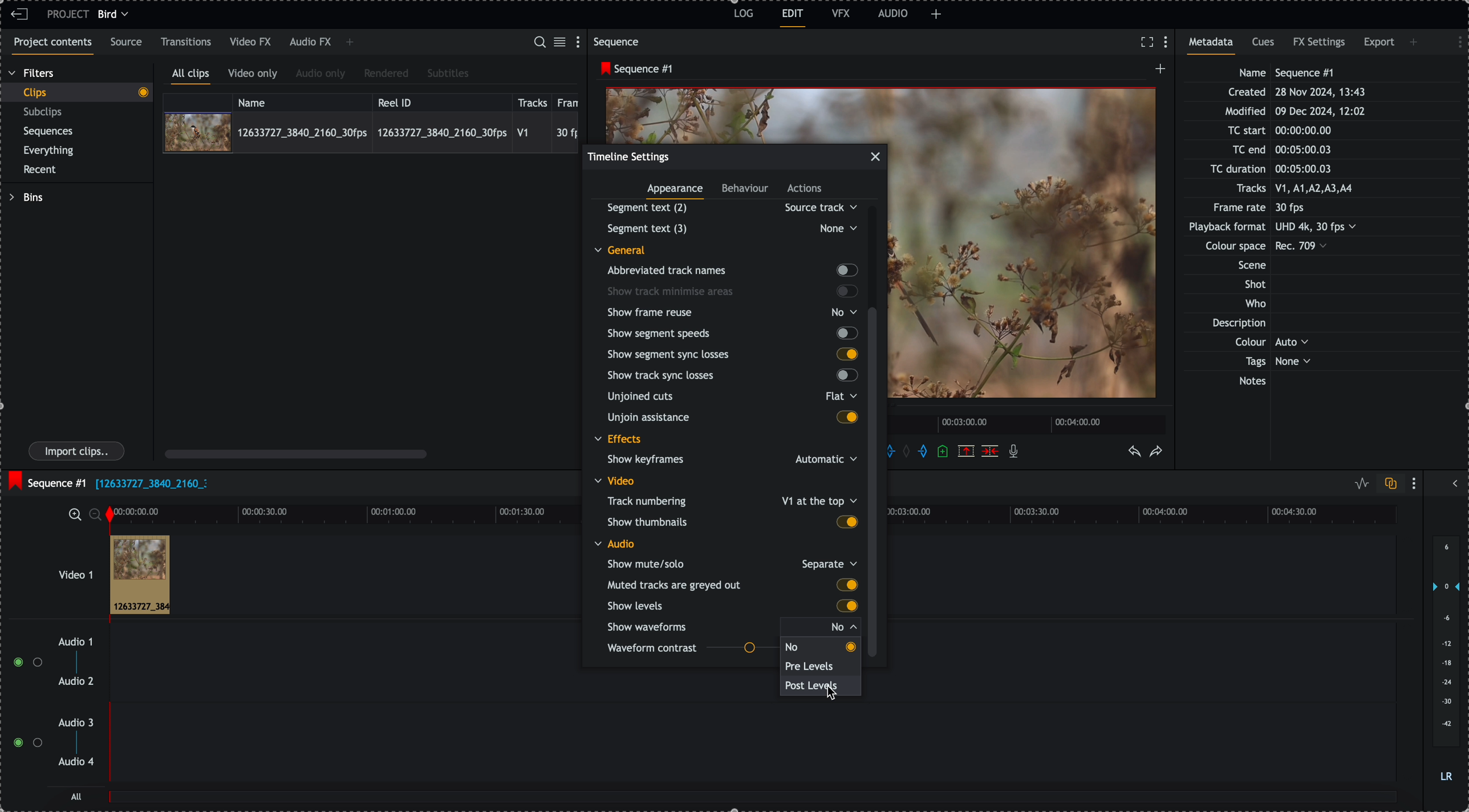  I want to click on abbreviated track names, so click(731, 271).